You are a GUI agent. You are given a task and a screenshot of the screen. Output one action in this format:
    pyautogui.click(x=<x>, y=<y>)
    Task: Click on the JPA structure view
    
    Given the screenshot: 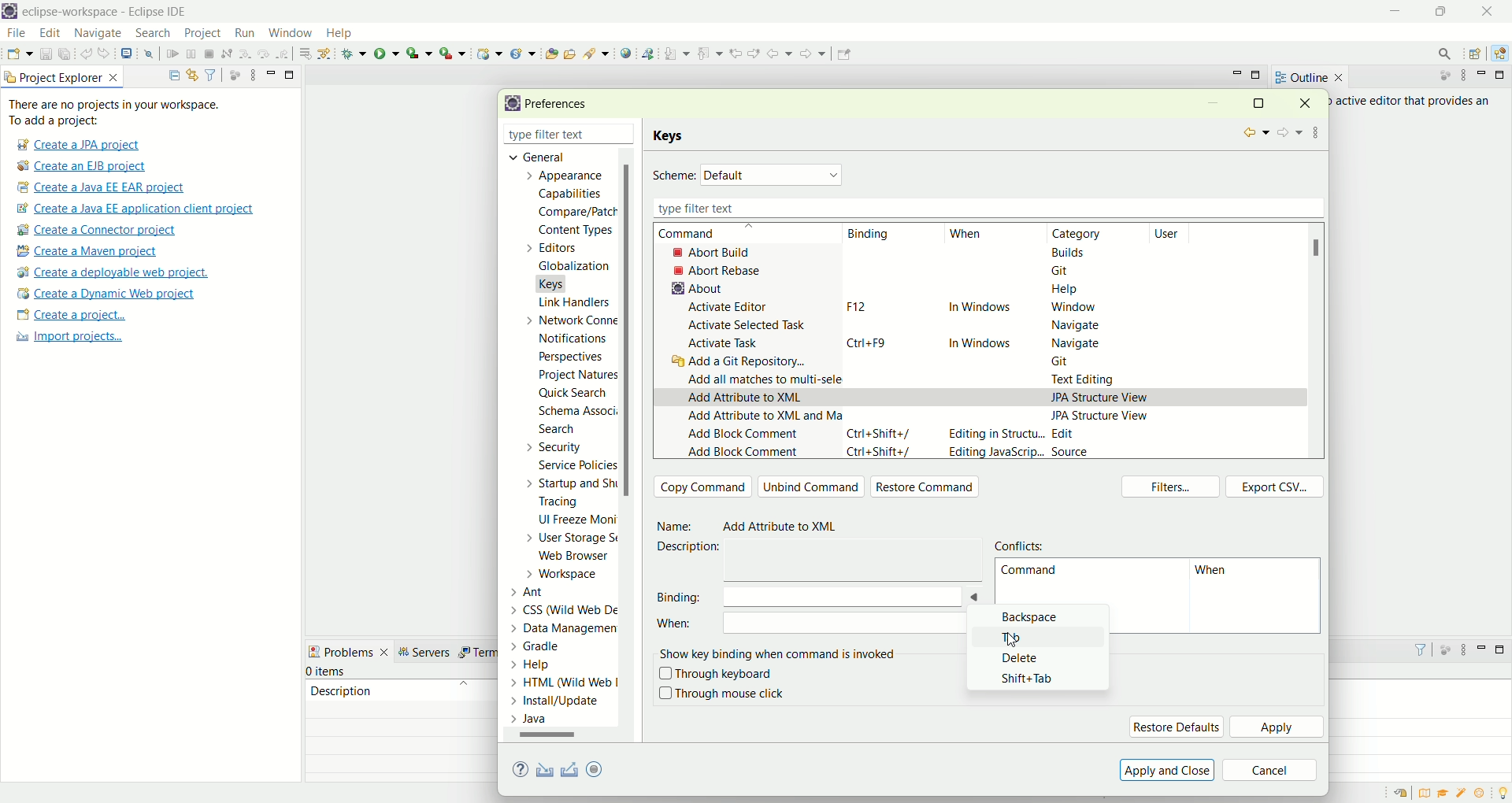 What is the action you would take?
    pyautogui.click(x=1100, y=396)
    